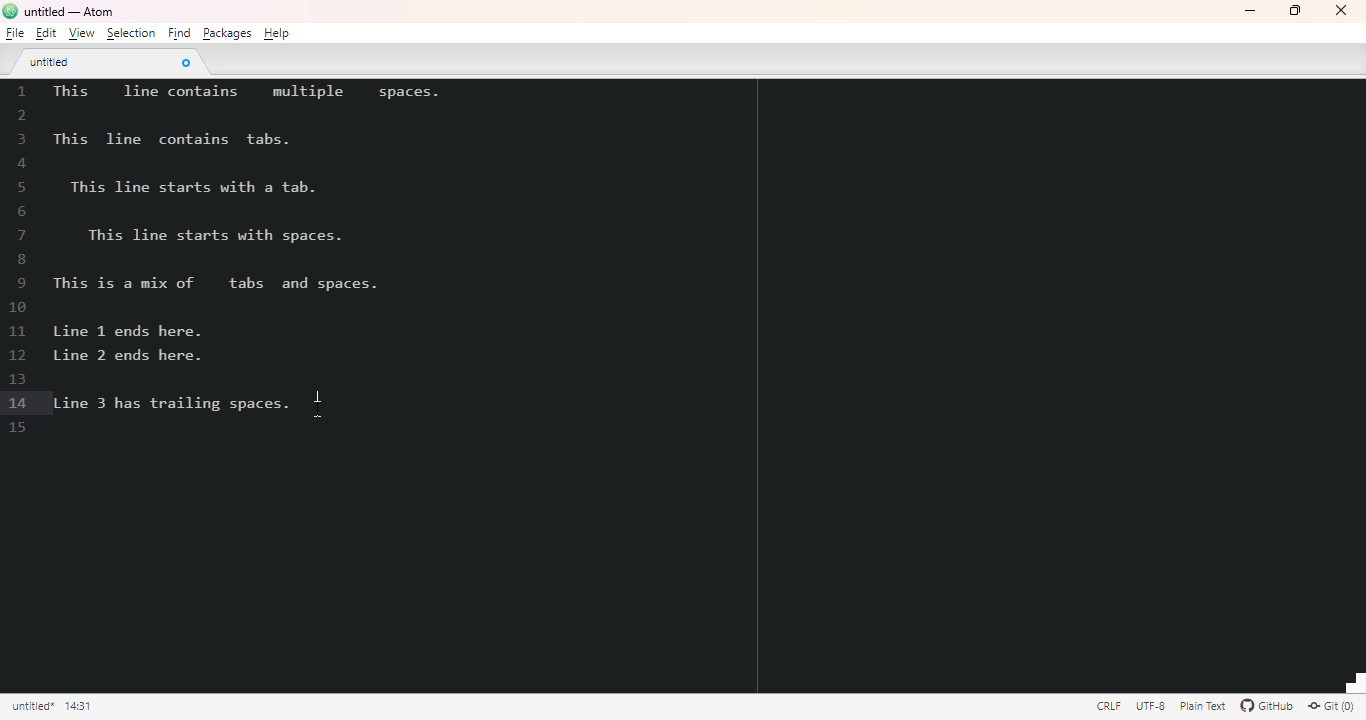 The height and width of the screenshot is (720, 1366). What do you see at coordinates (51, 61) in the screenshot?
I see `untitled tab` at bounding box center [51, 61].